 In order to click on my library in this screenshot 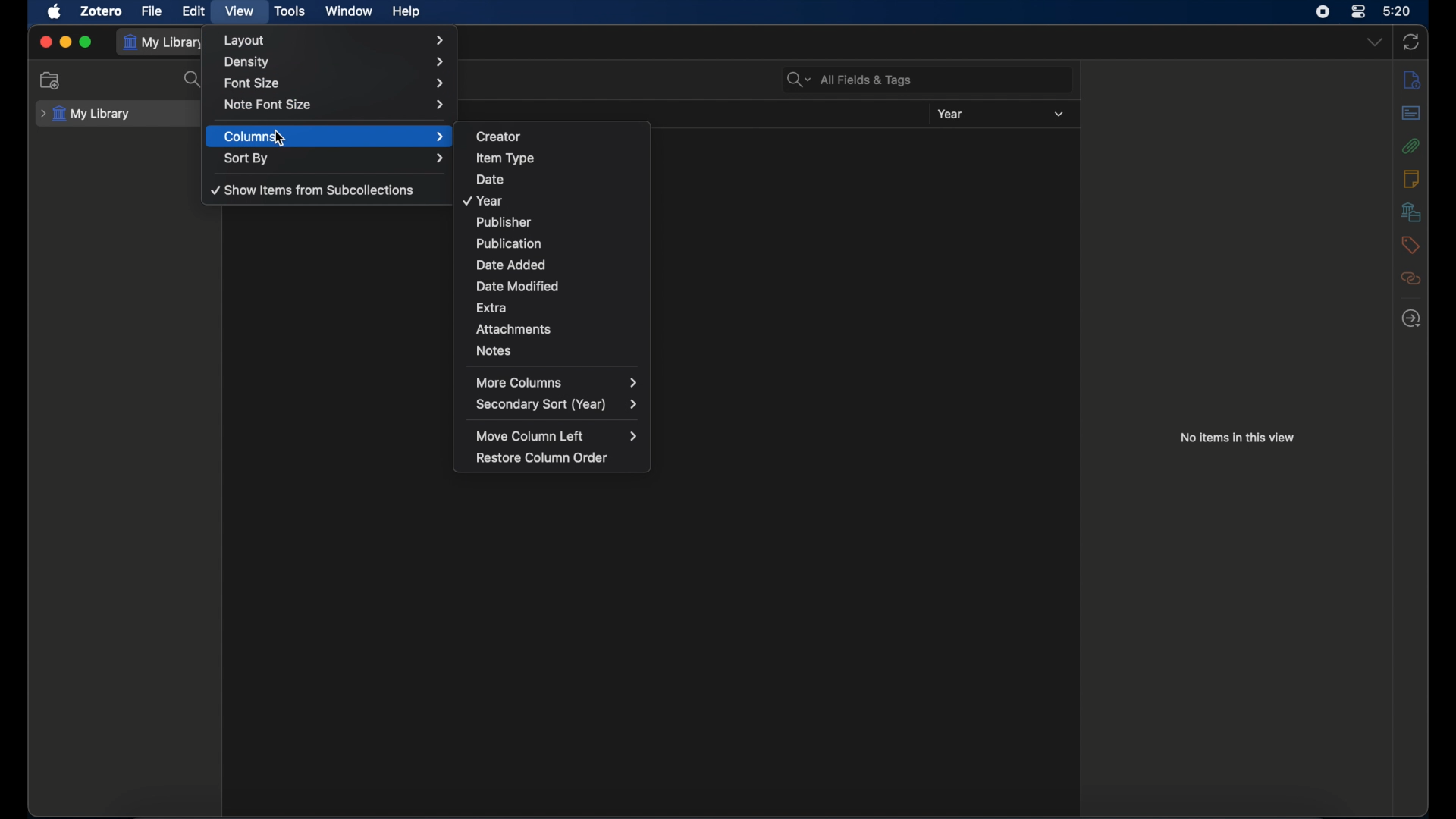, I will do `click(86, 115)`.